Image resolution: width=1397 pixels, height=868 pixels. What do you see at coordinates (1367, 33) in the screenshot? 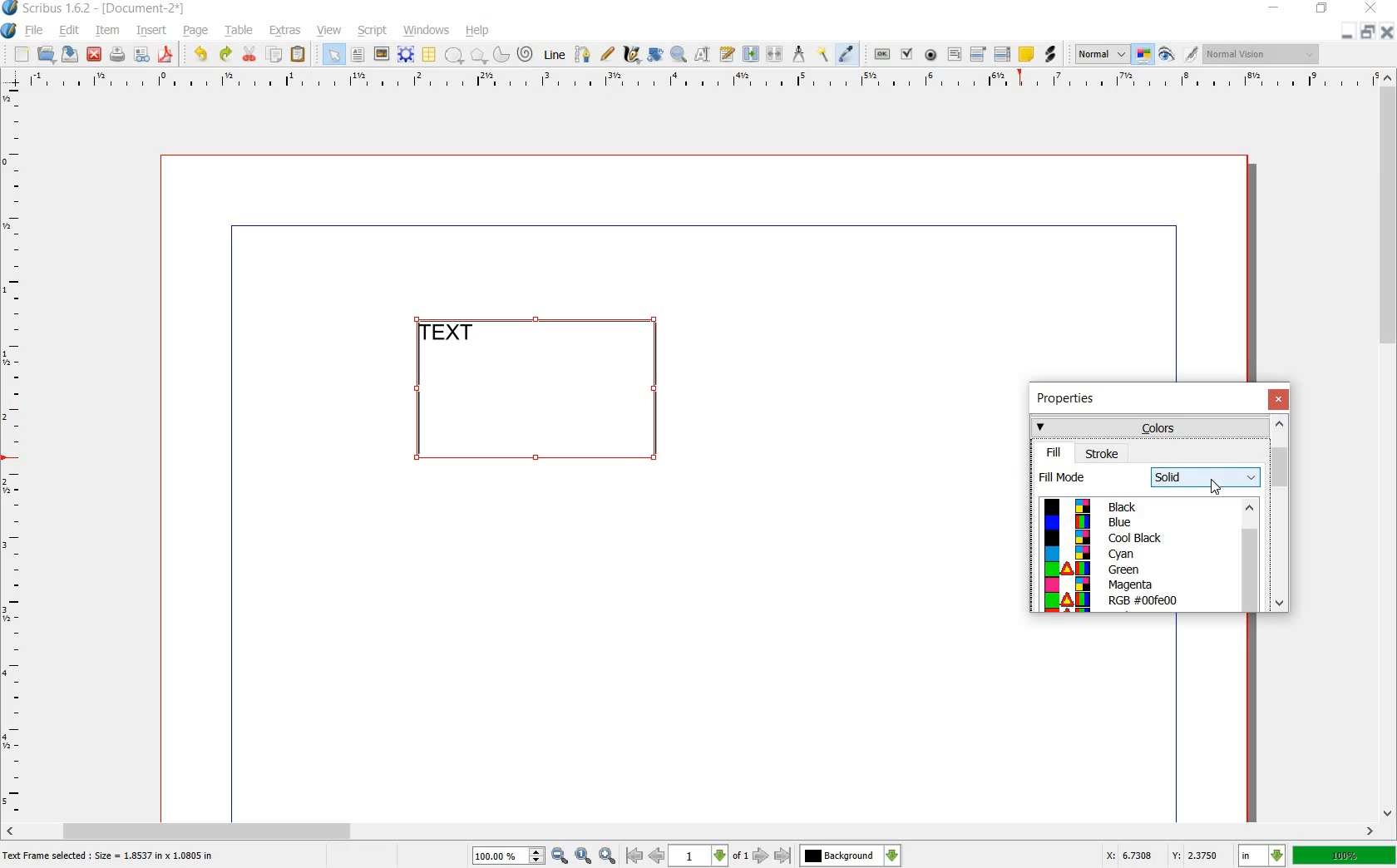
I see `restore` at bounding box center [1367, 33].